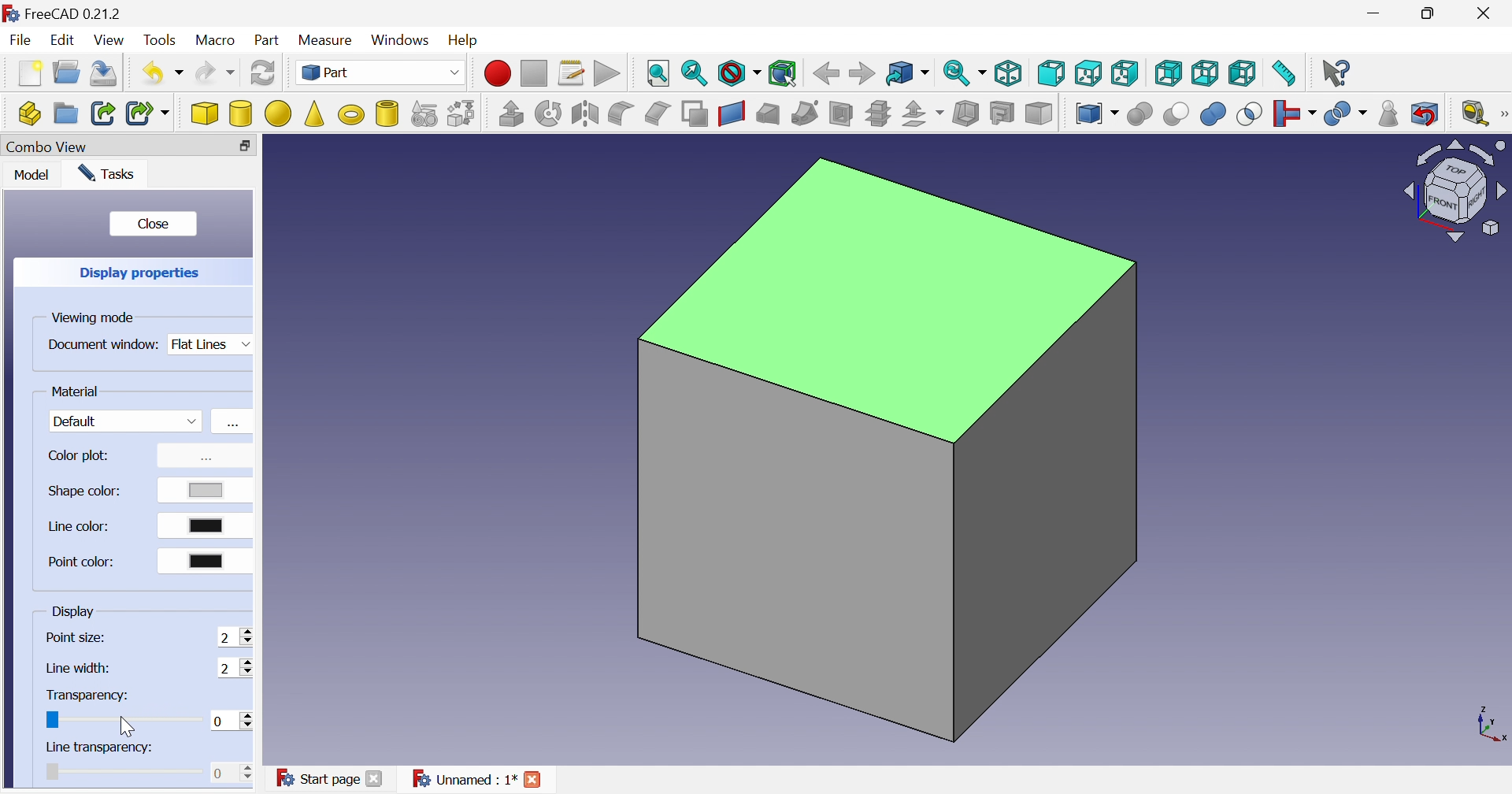 This screenshot has width=1512, height=794. Describe the element at coordinates (74, 611) in the screenshot. I see `Display` at that location.